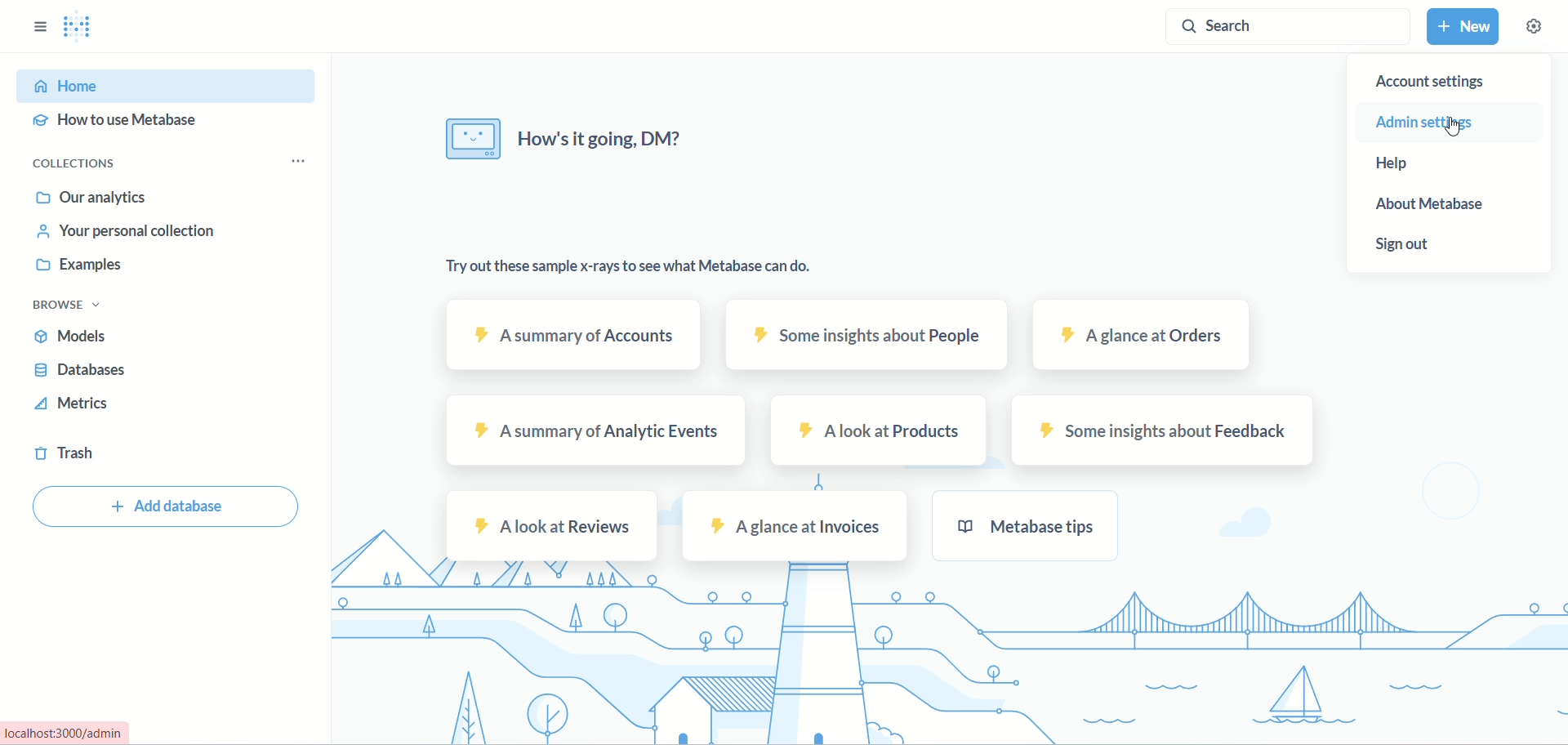  Describe the element at coordinates (639, 269) in the screenshot. I see `data` at that location.